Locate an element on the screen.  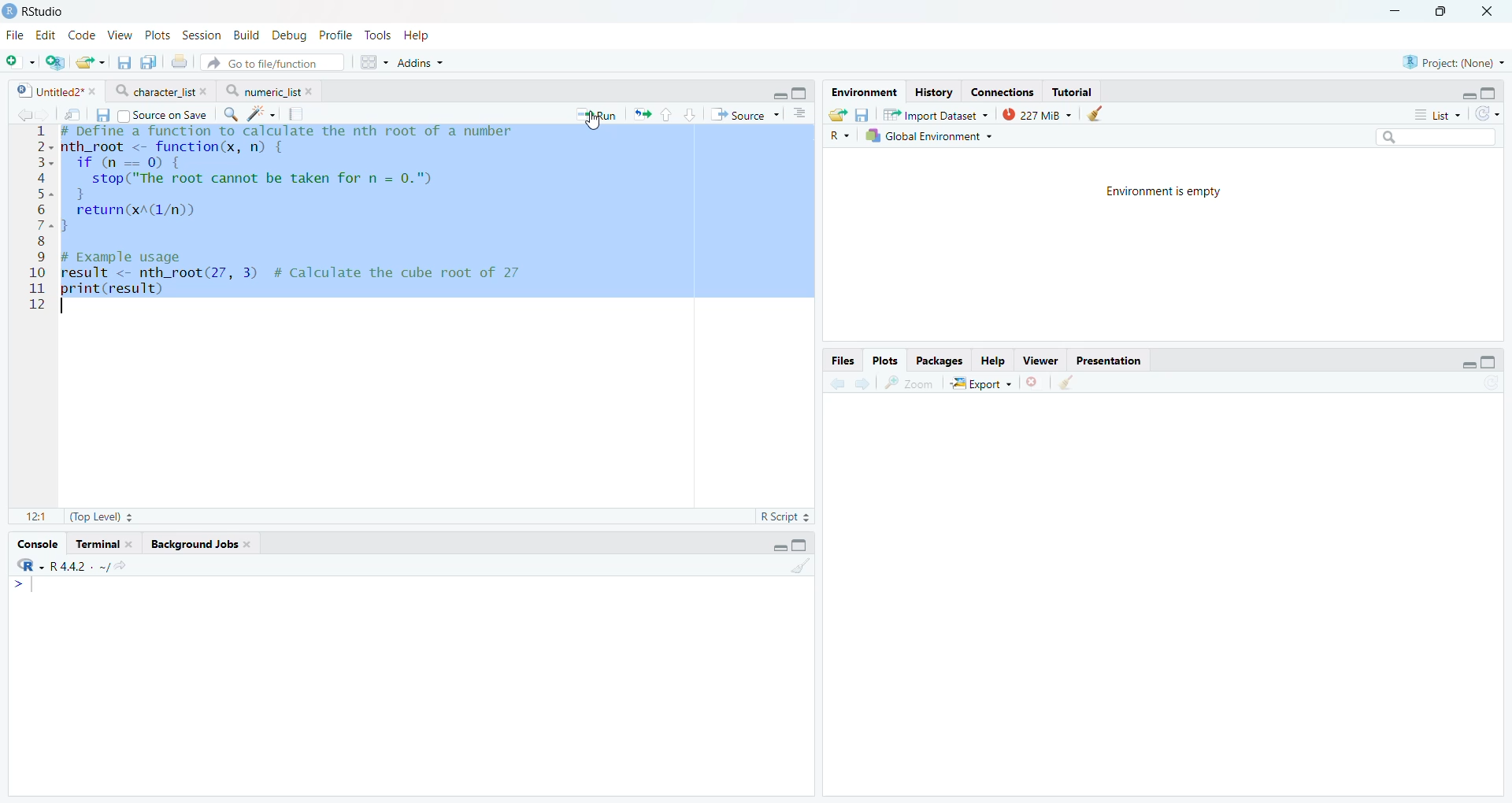
Help is located at coordinates (420, 35).